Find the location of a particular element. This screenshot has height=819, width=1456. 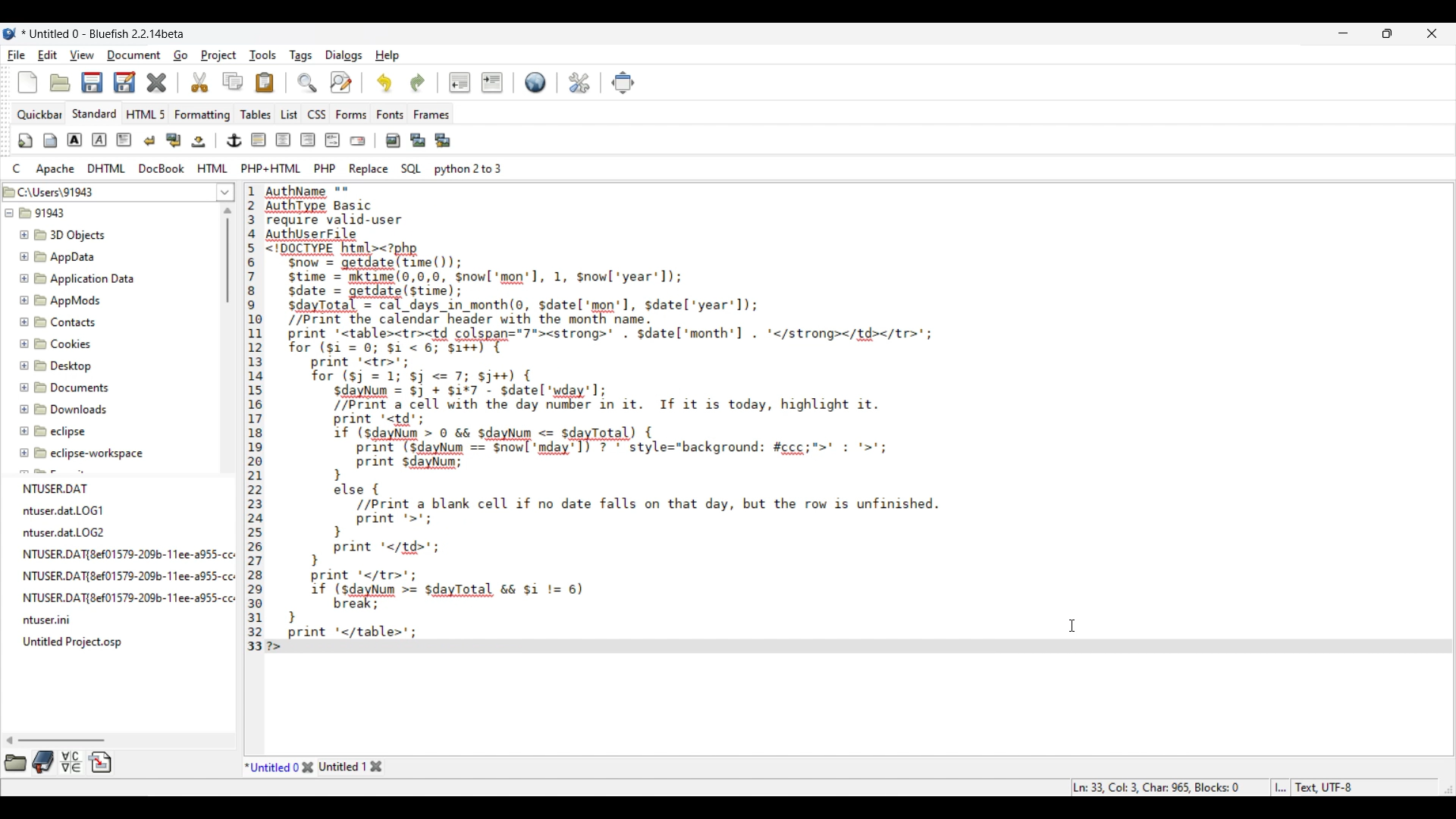

File menu is located at coordinates (17, 55).